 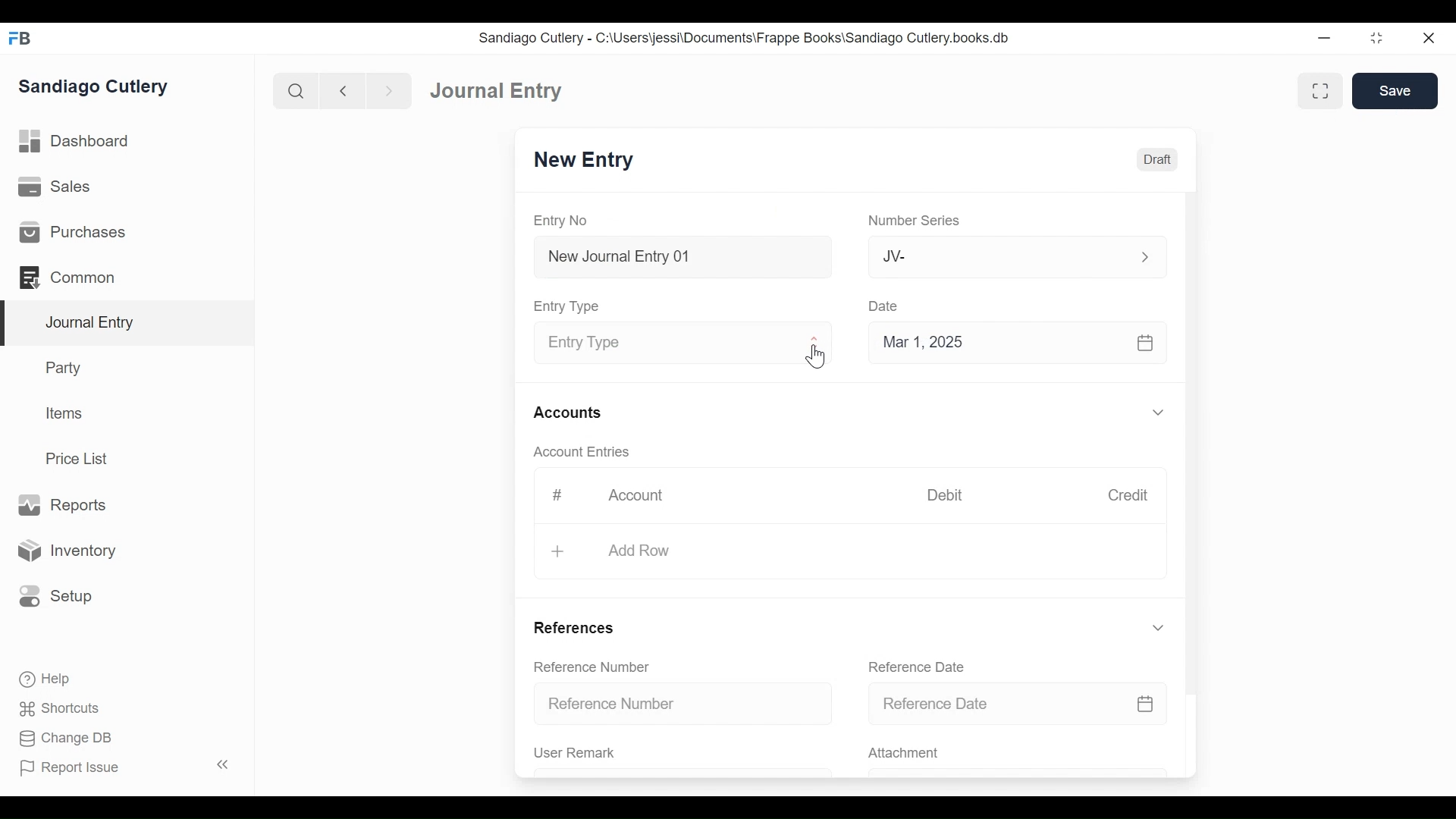 I want to click on Account, so click(x=635, y=496).